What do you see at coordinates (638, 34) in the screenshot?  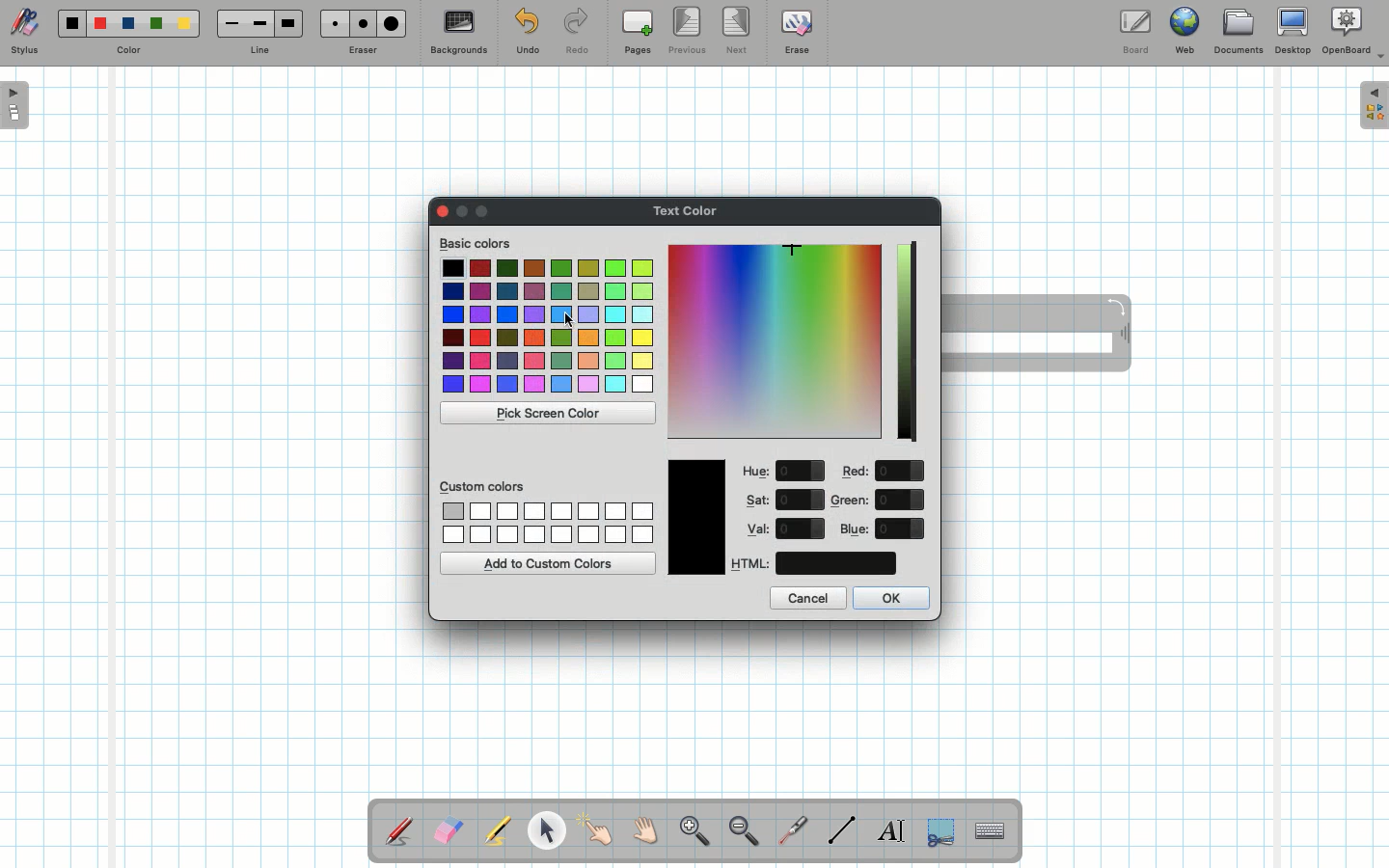 I see `Pages` at bounding box center [638, 34].